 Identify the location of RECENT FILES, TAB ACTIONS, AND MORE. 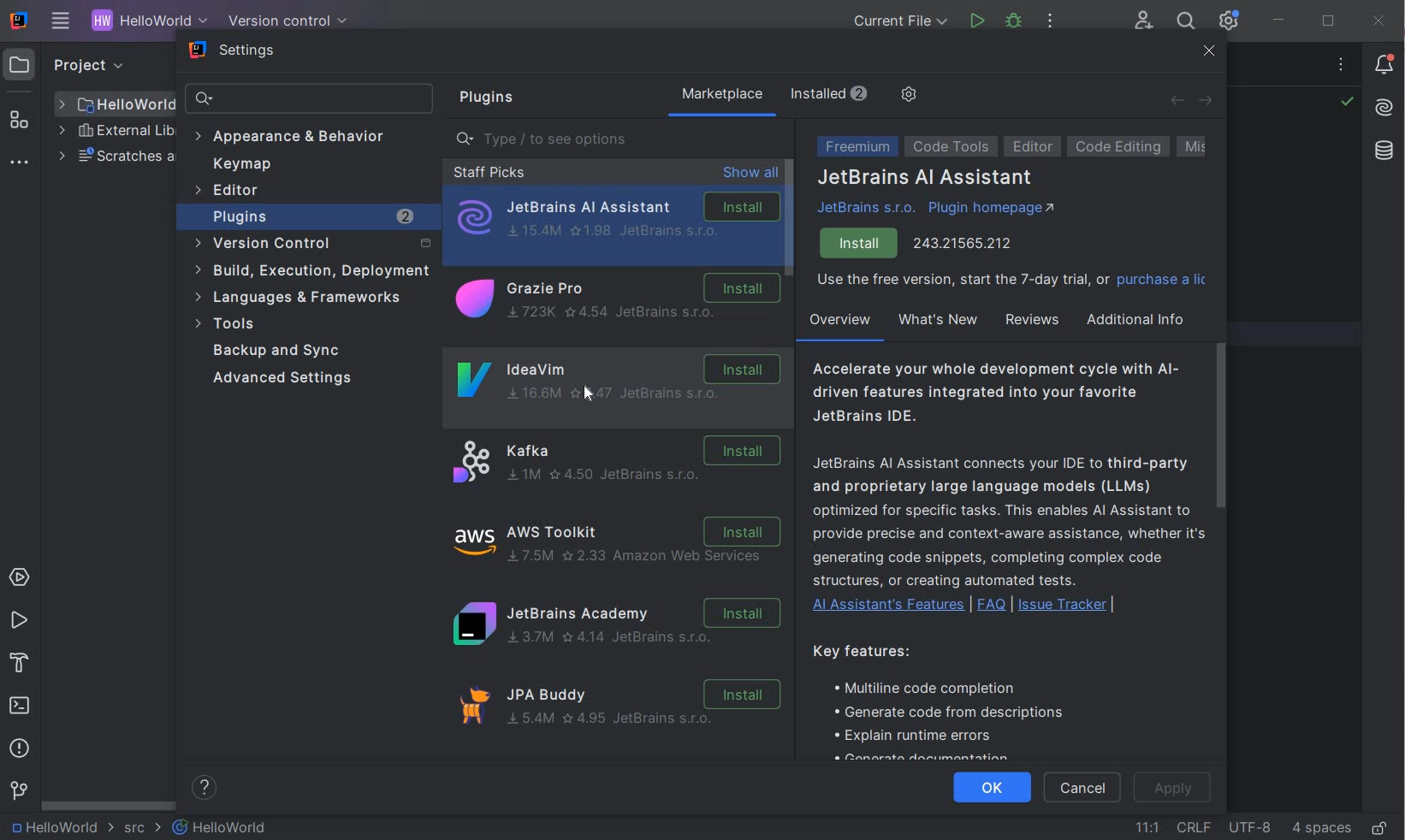
(1343, 67).